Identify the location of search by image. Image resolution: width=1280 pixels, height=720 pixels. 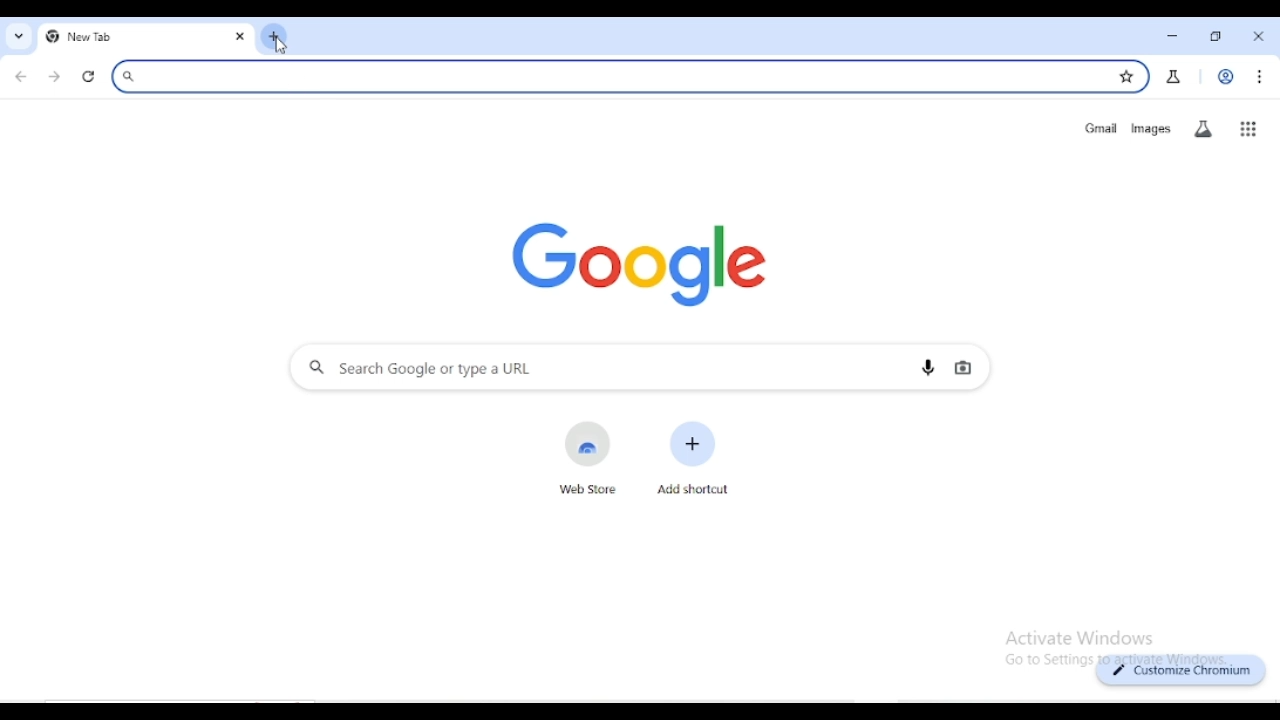
(963, 368).